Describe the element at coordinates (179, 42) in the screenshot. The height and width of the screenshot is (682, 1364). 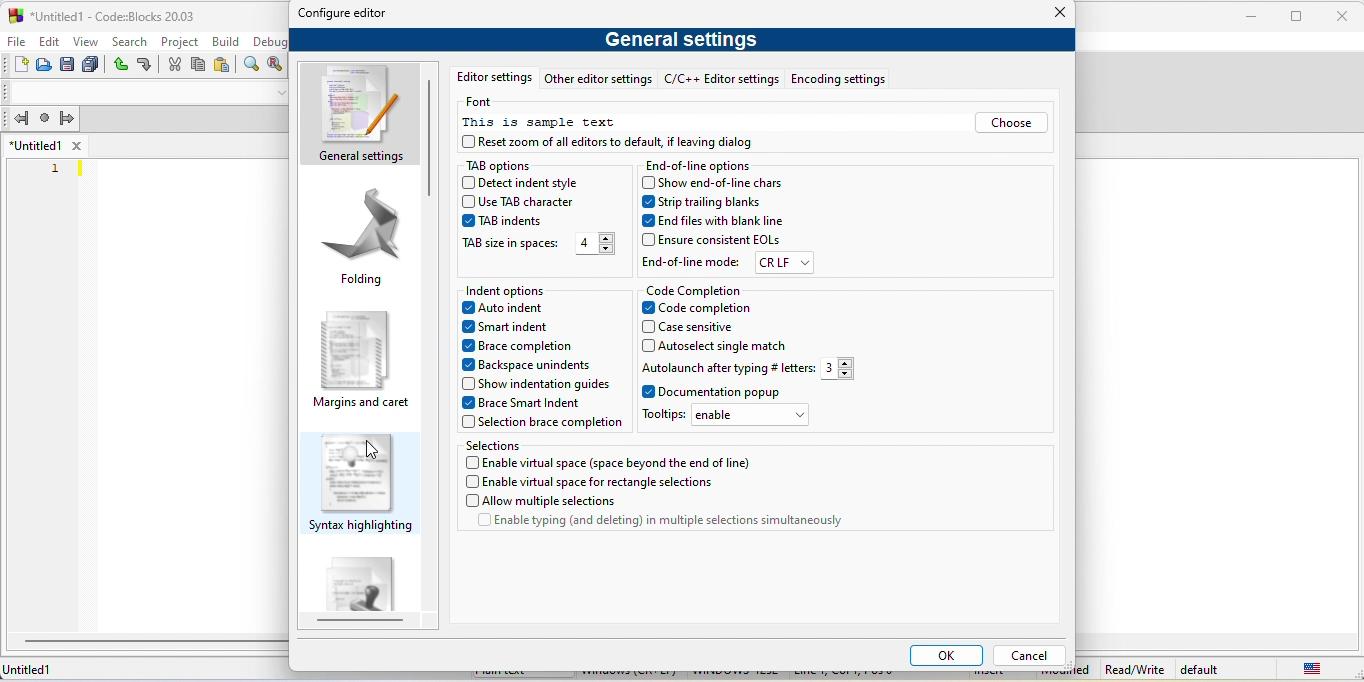
I see `project` at that location.